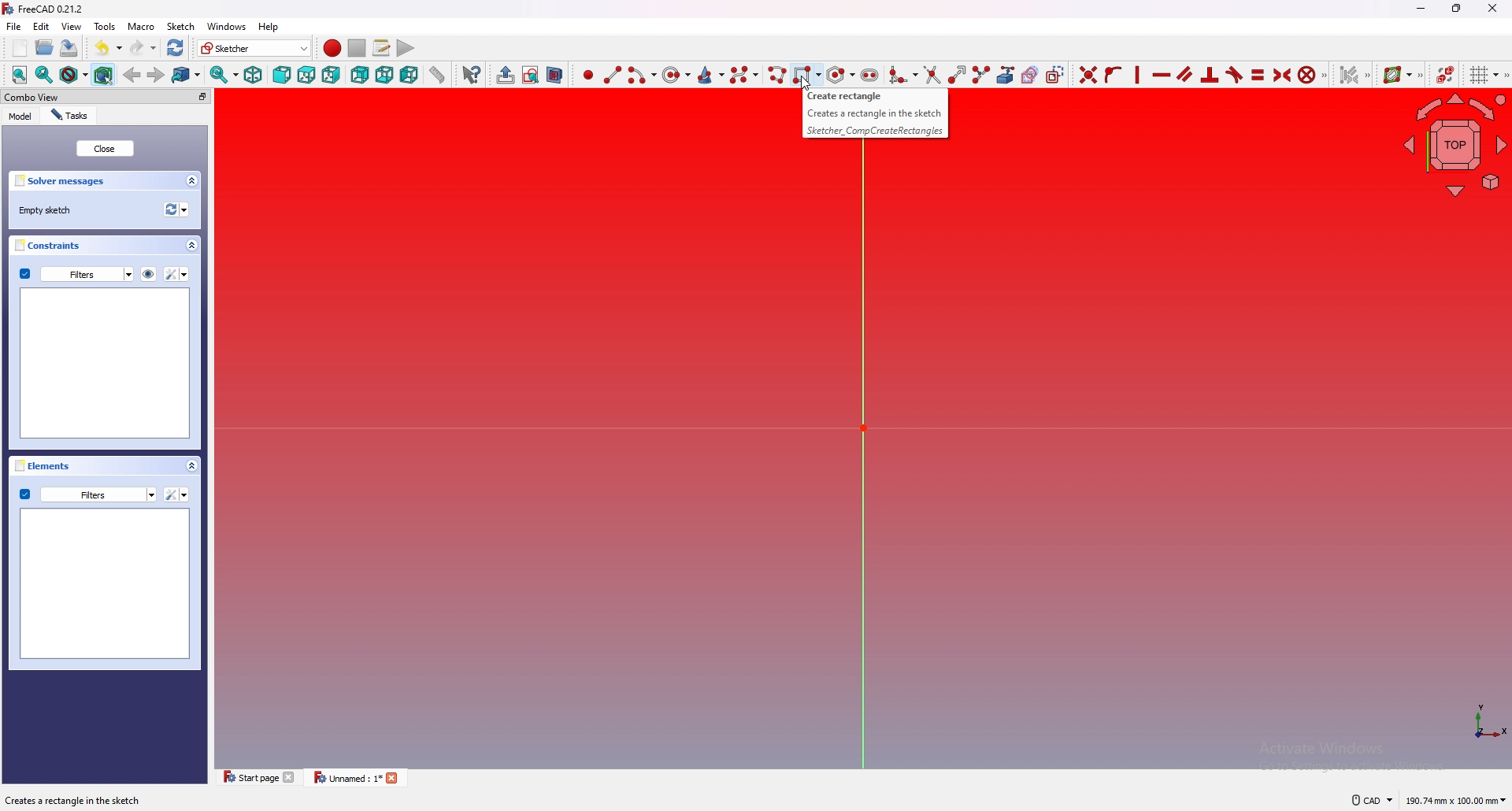 This screenshot has height=811, width=1512. What do you see at coordinates (47, 245) in the screenshot?
I see `constraints` at bounding box center [47, 245].